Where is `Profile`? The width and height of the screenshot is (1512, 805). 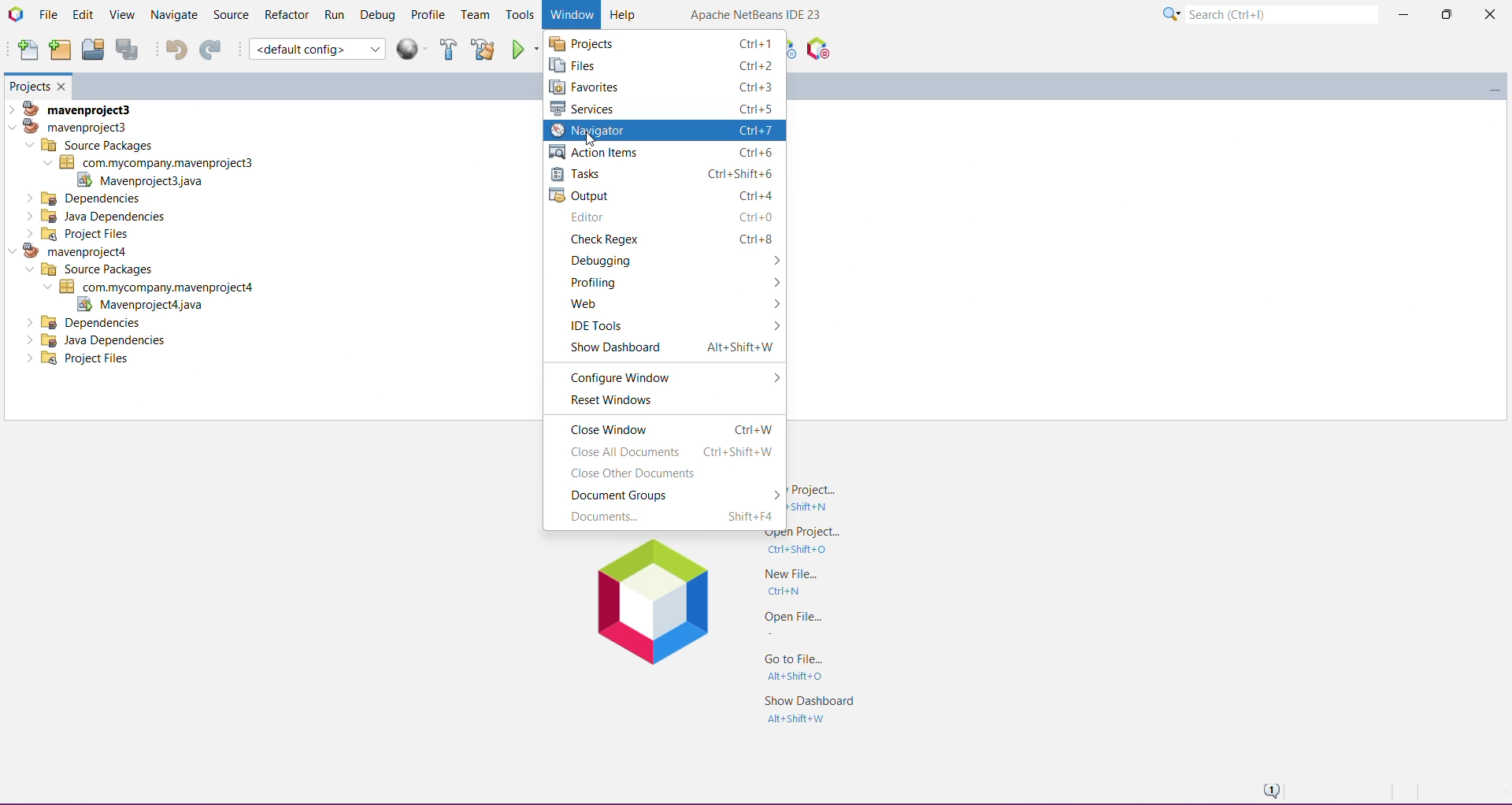
Profile is located at coordinates (429, 15).